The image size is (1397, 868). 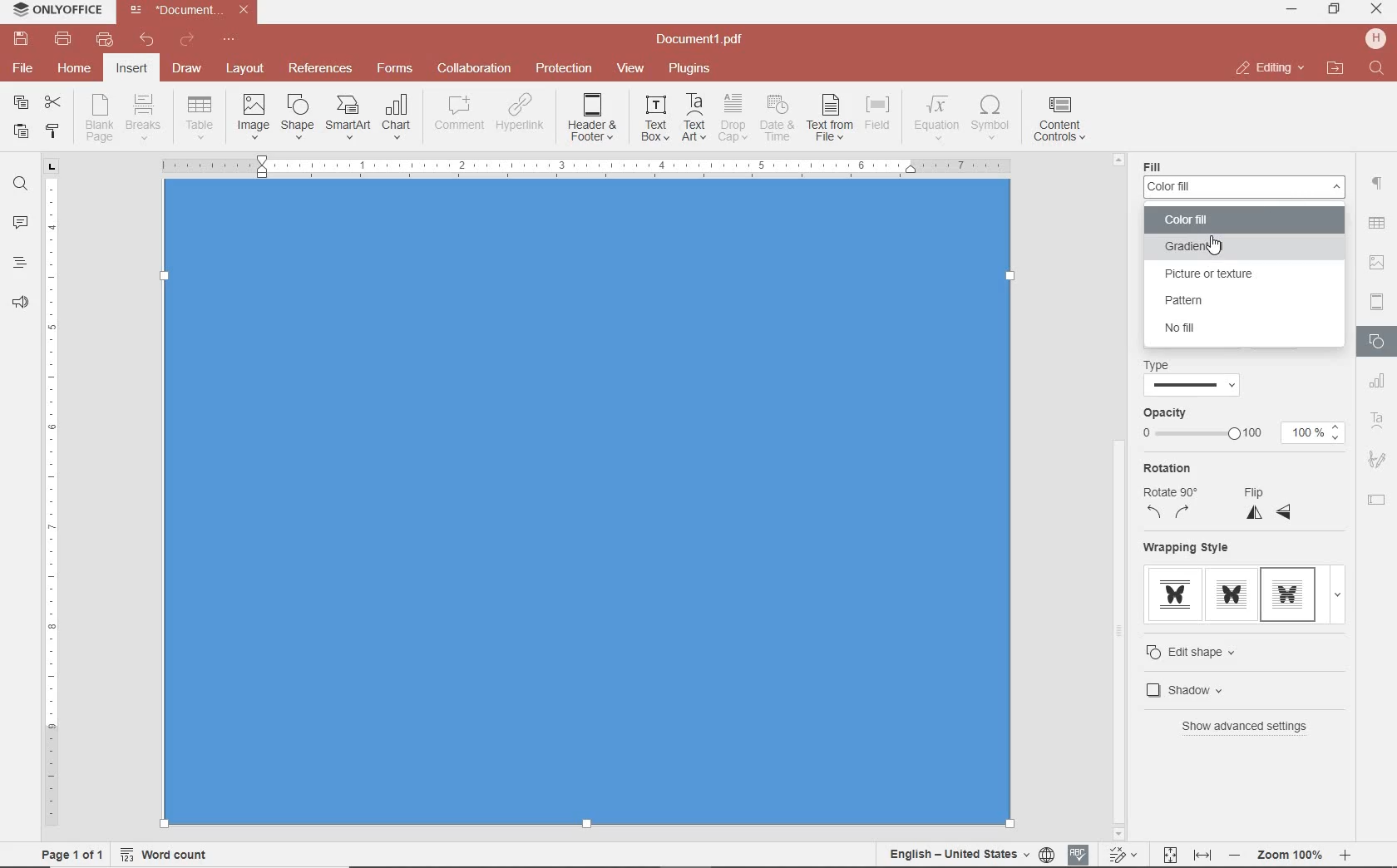 I want to click on home, so click(x=72, y=67).